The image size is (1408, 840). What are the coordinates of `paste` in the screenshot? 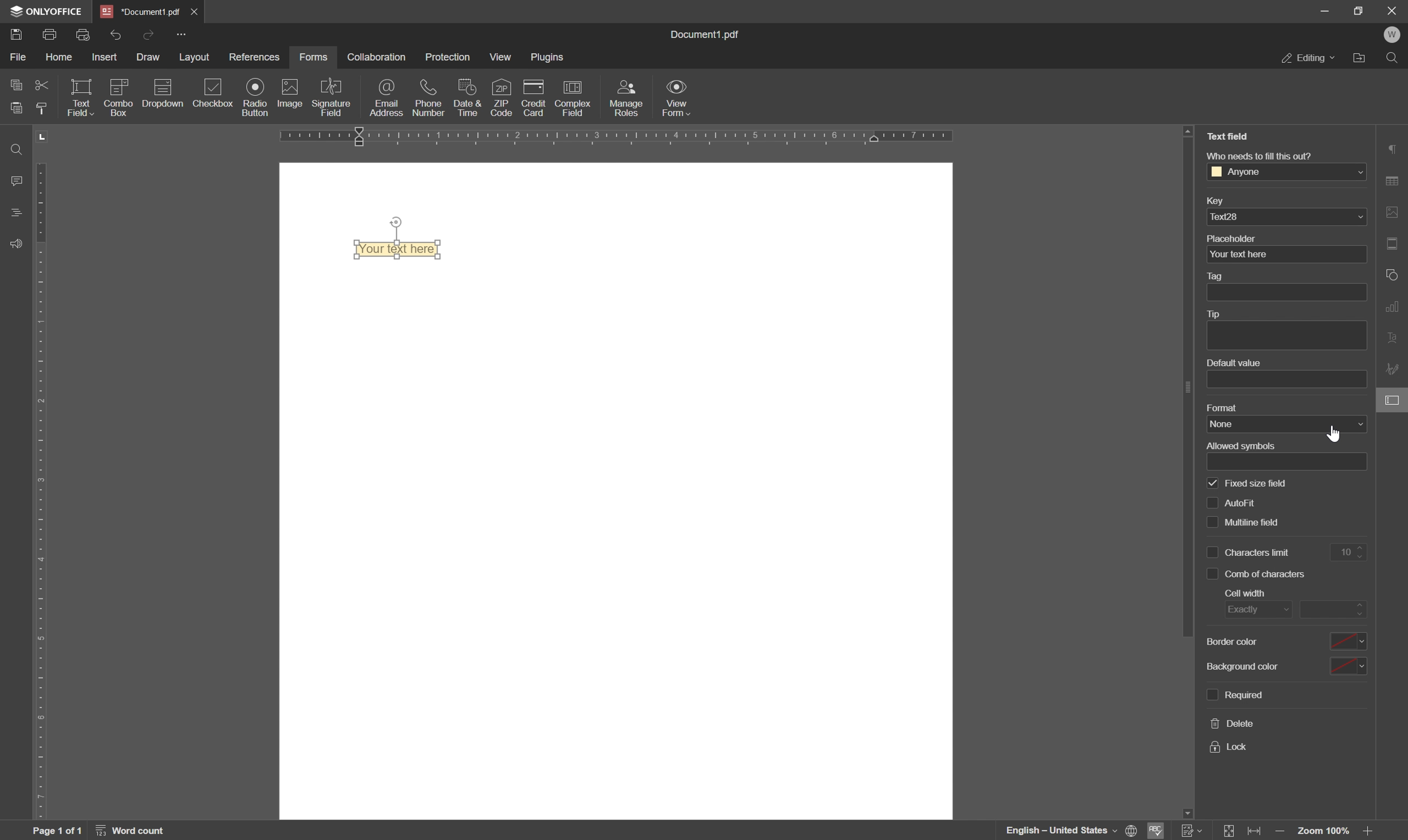 It's located at (12, 109).